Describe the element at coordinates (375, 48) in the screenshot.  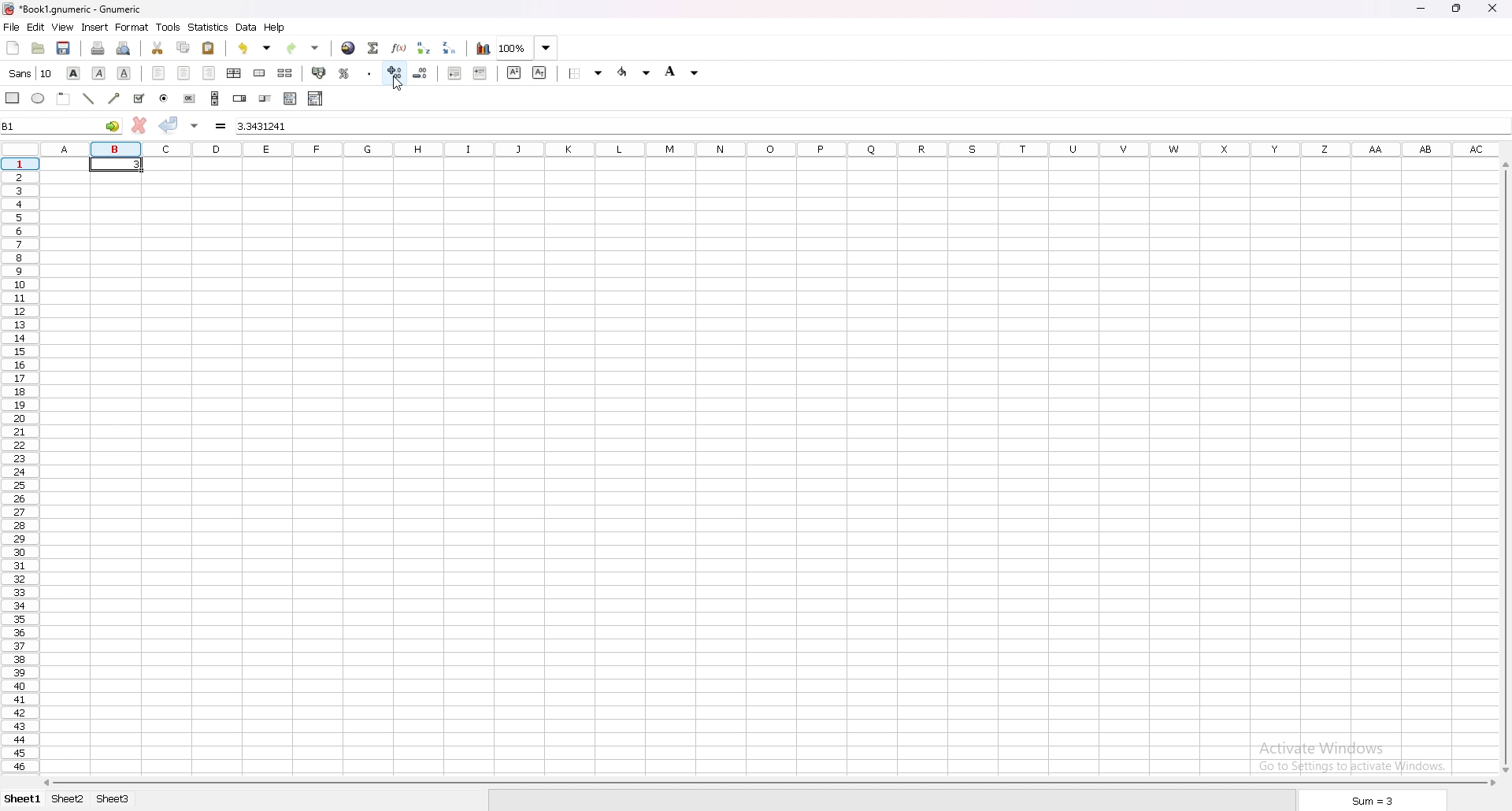
I see `summation` at that location.